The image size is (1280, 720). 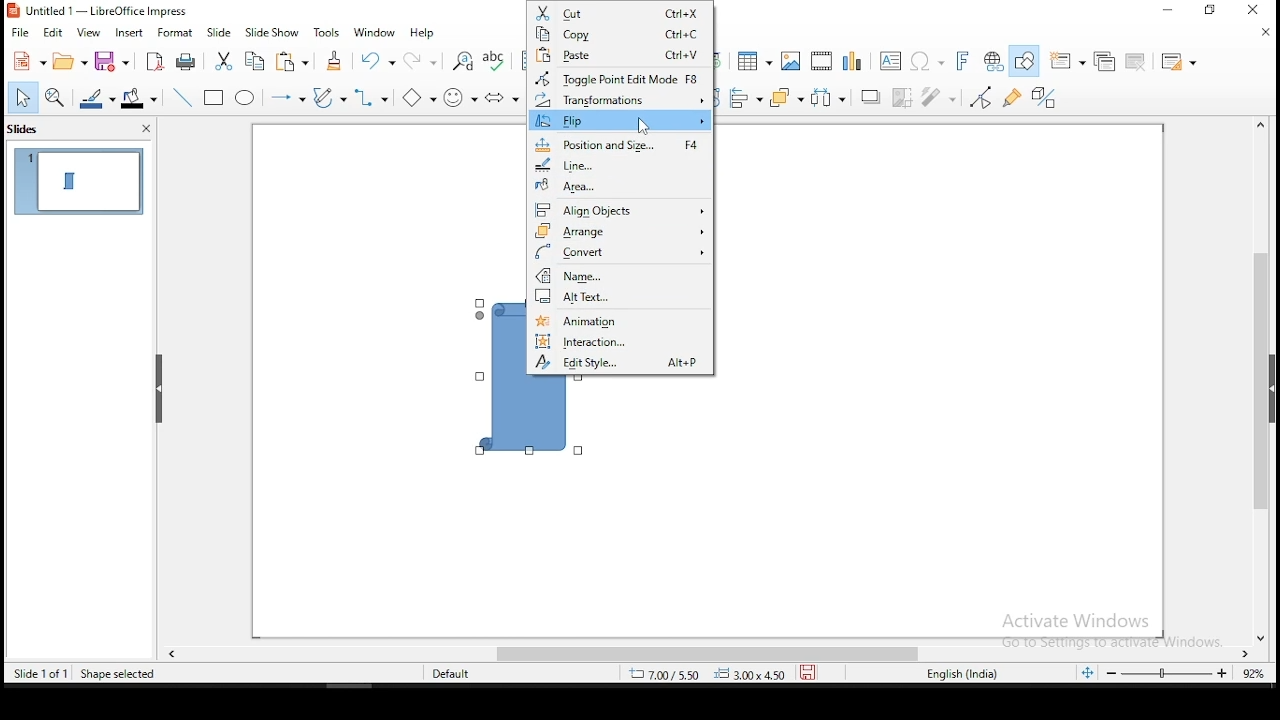 I want to click on insert, so click(x=131, y=33).